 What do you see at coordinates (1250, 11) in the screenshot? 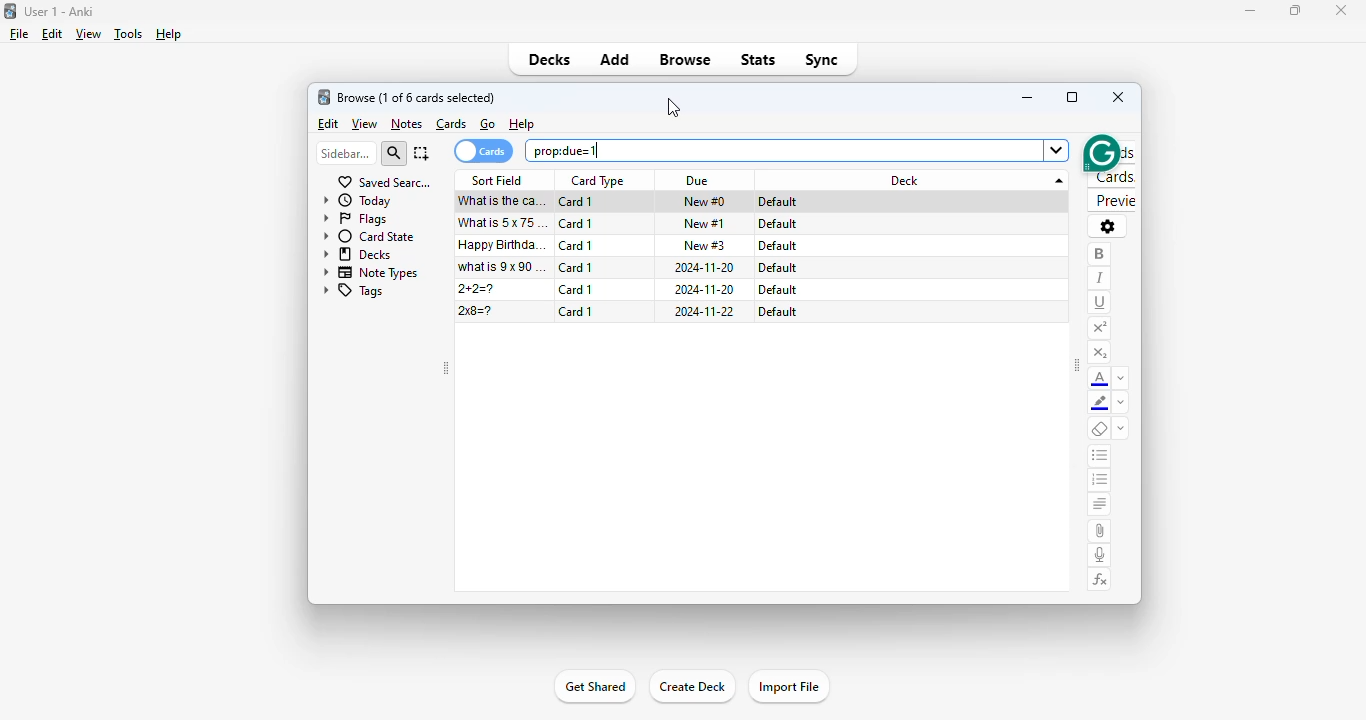
I see `minimize` at bounding box center [1250, 11].